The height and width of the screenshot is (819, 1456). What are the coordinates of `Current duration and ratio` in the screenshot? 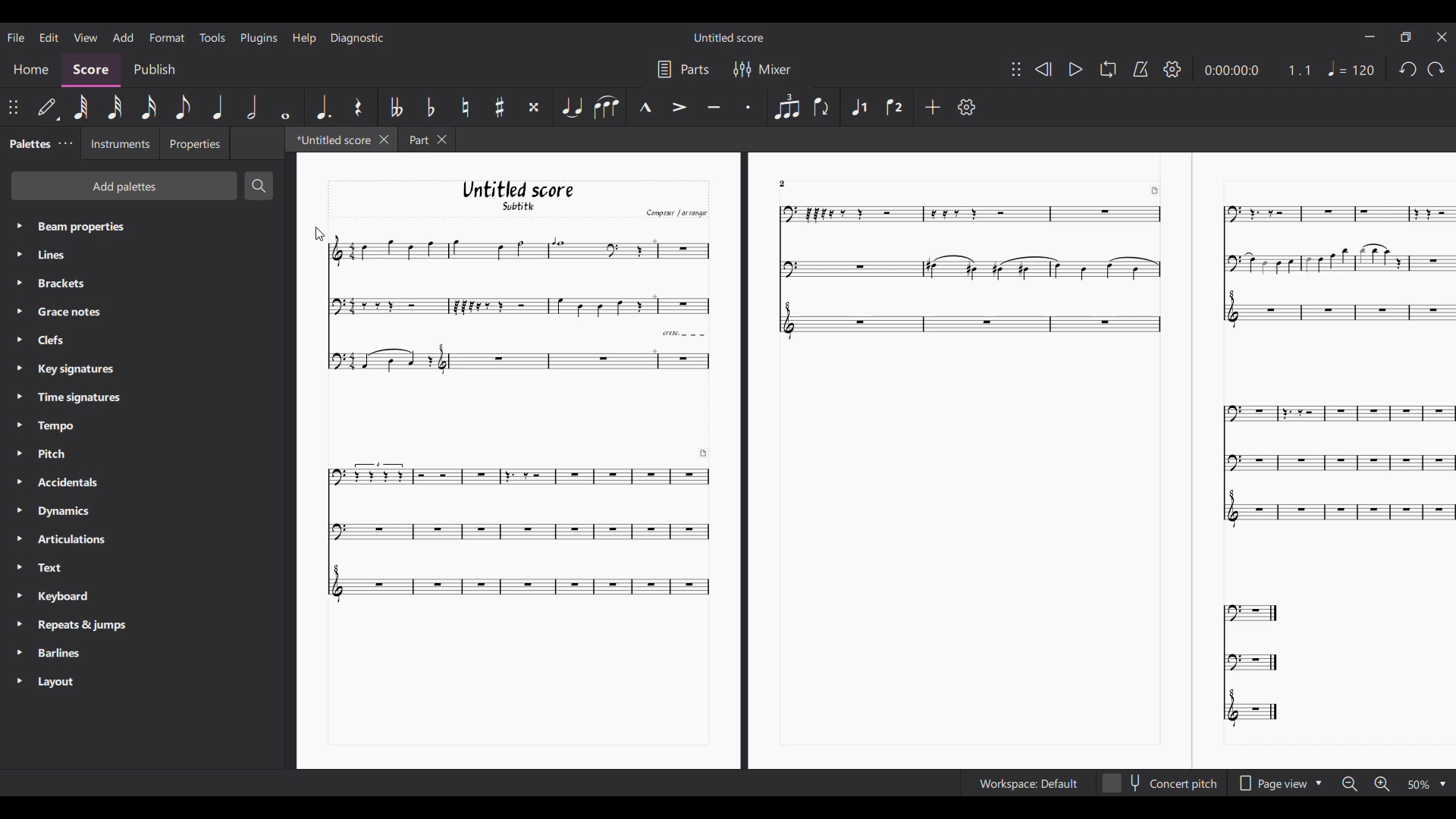 It's located at (1258, 70).